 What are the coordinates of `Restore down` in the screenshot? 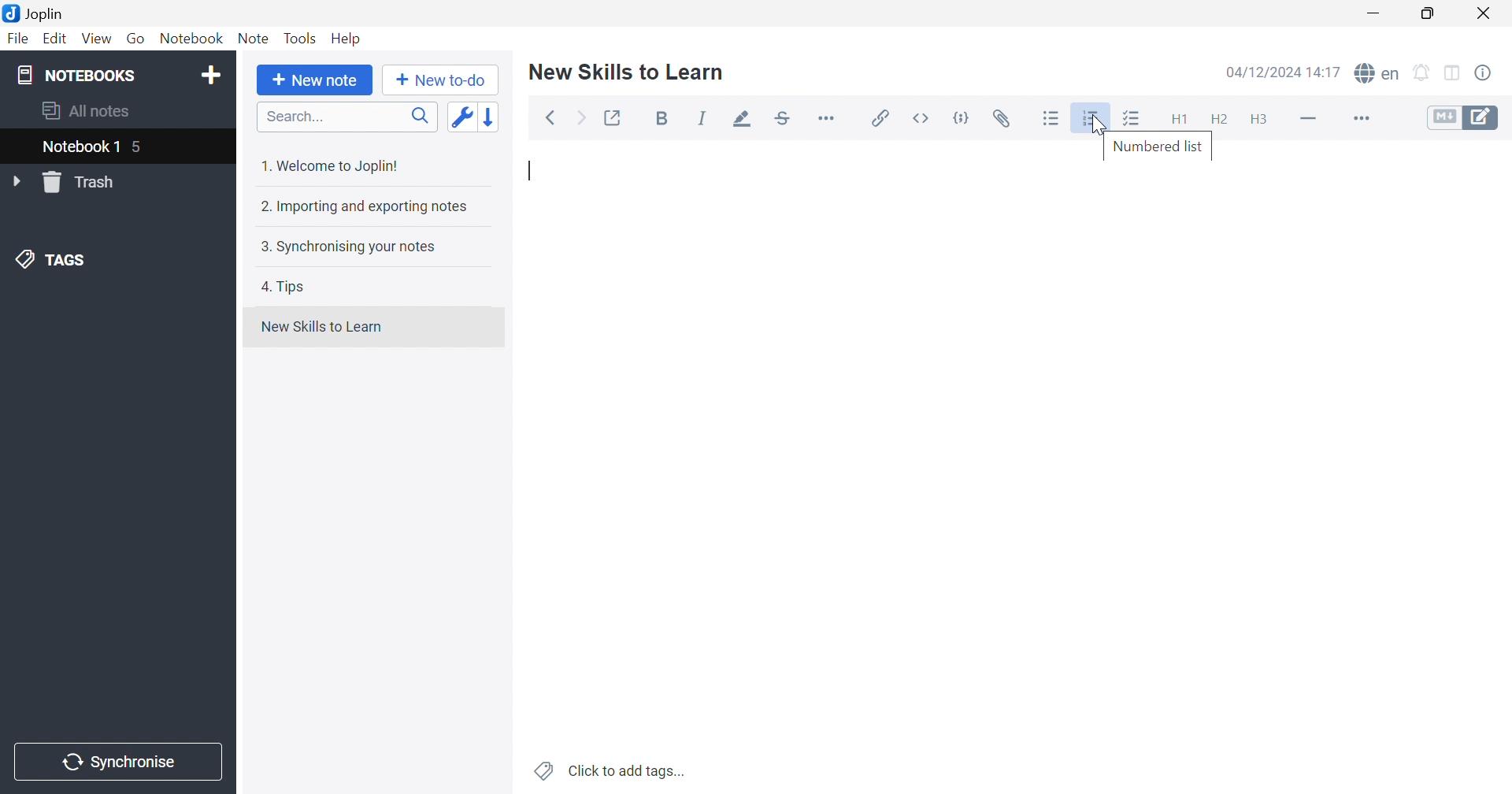 It's located at (1427, 13).